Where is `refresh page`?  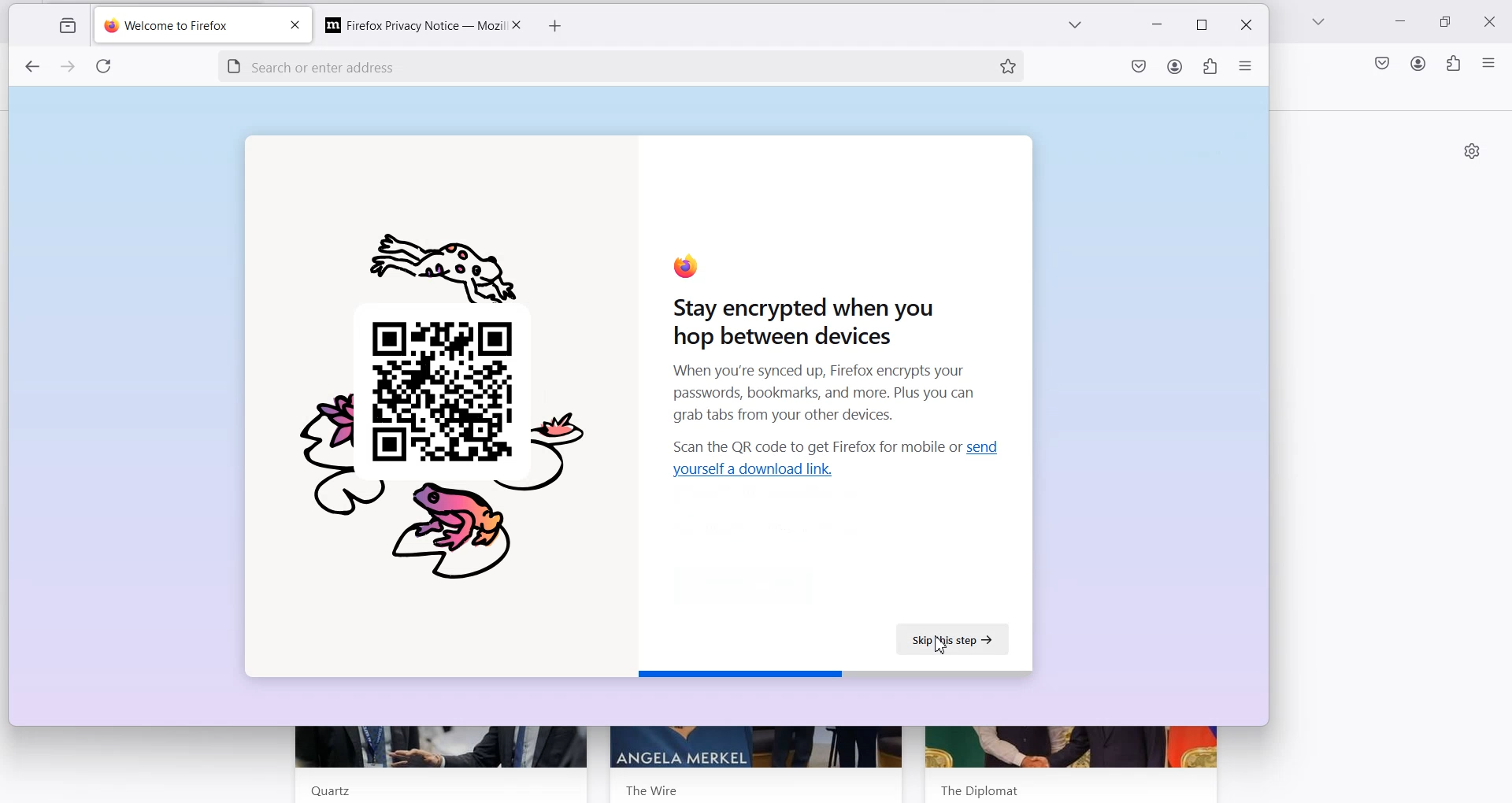 refresh page is located at coordinates (107, 68).